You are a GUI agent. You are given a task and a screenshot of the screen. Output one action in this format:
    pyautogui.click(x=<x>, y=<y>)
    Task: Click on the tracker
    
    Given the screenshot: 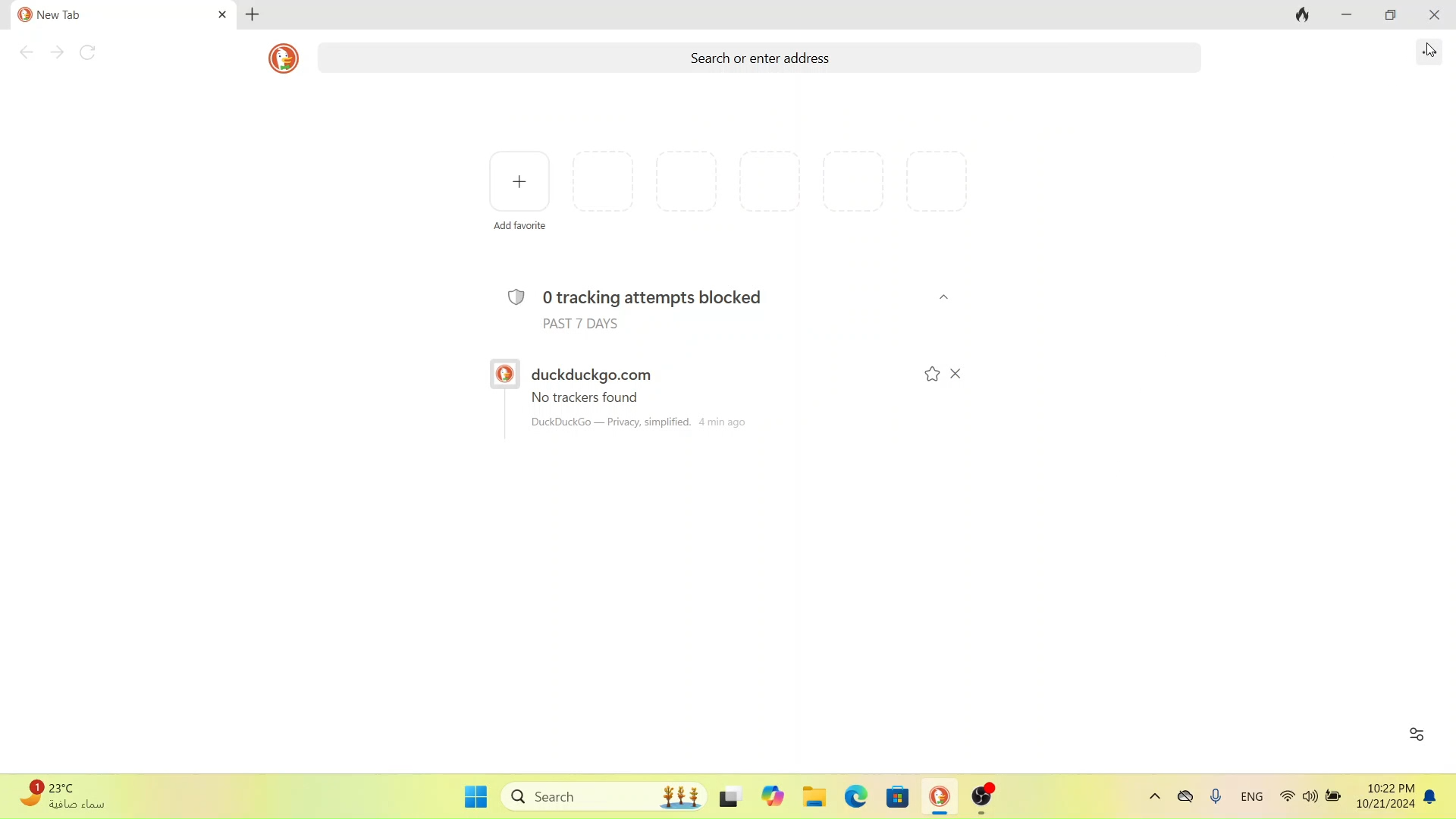 What is the action you would take?
    pyautogui.click(x=711, y=305)
    